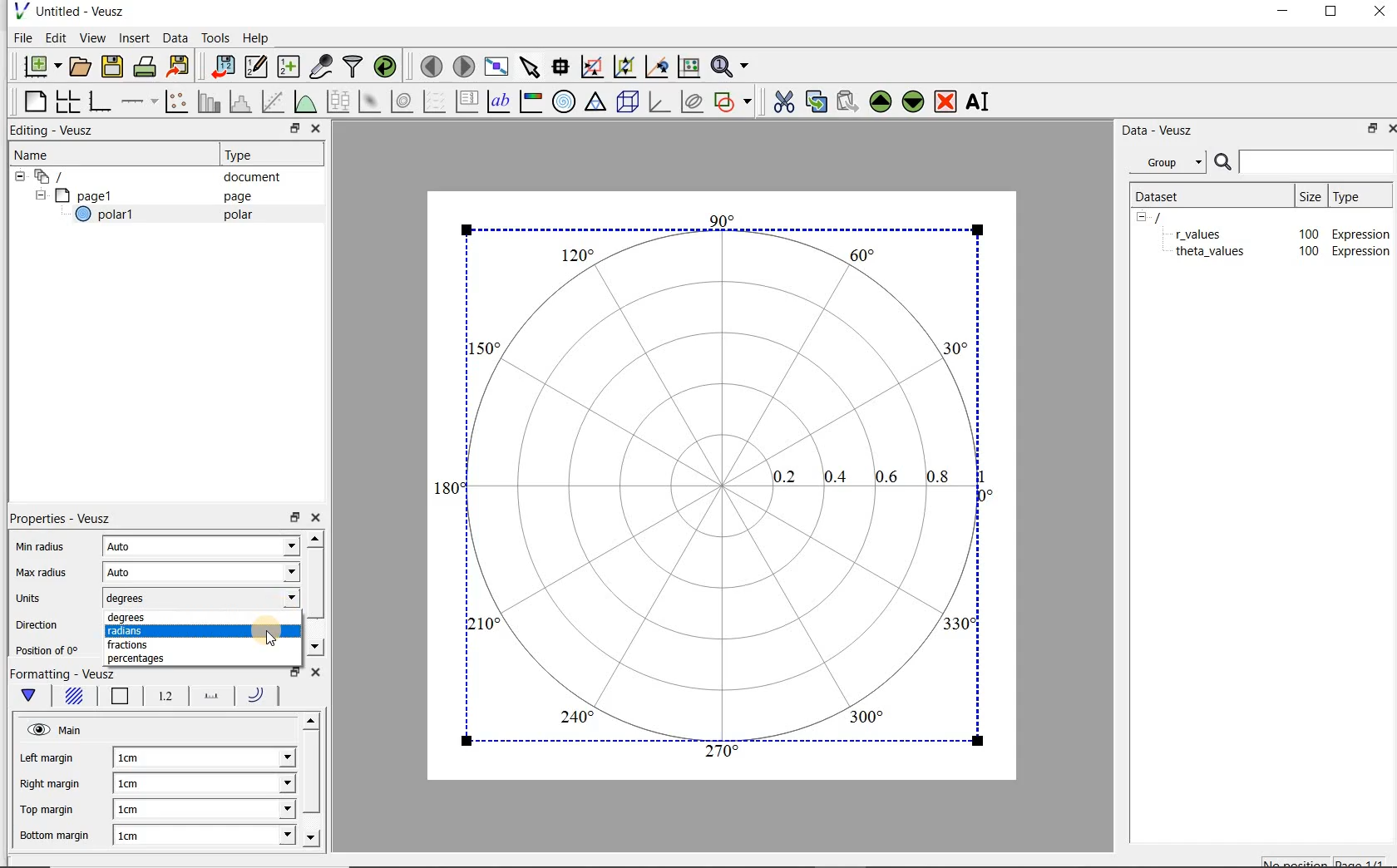 This screenshot has width=1397, height=868. Describe the element at coordinates (1309, 194) in the screenshot. I see `size` at that location.